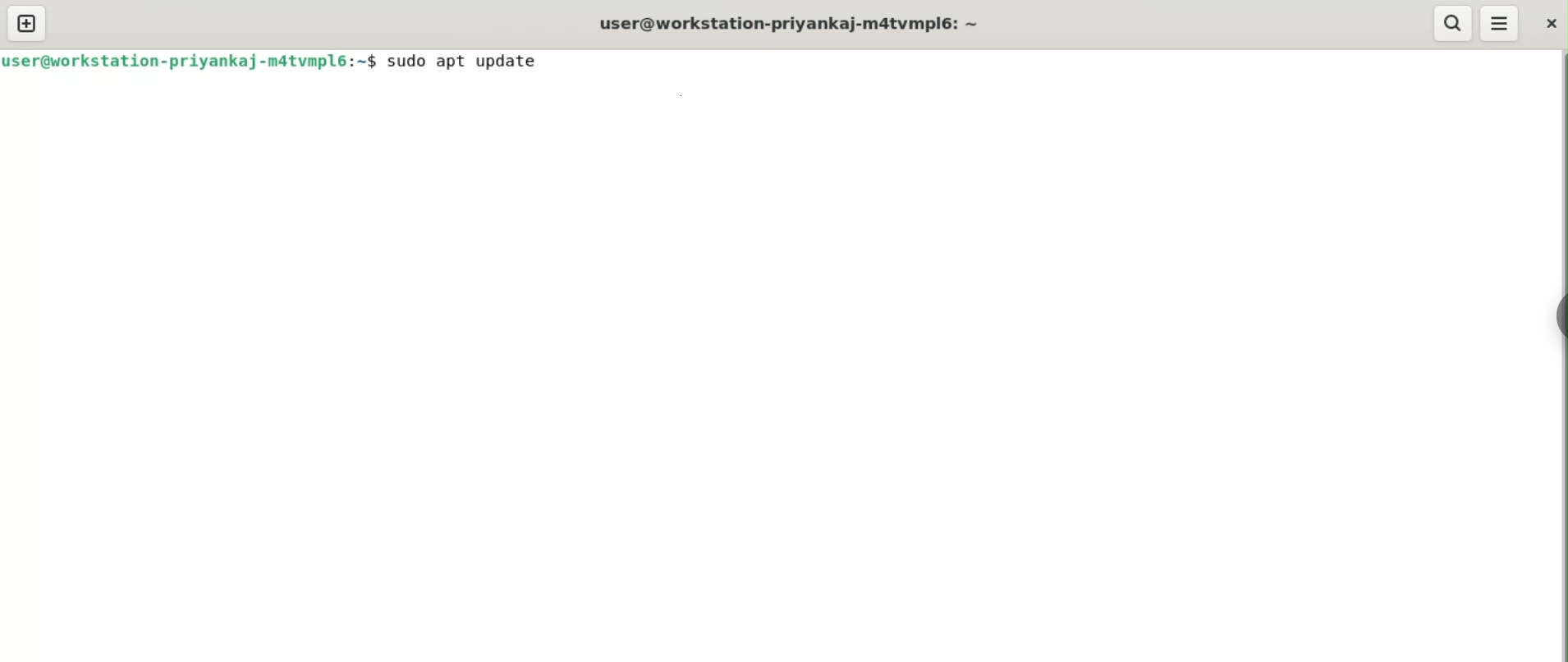  I want to click on sudo apt update, so click(471, 62).